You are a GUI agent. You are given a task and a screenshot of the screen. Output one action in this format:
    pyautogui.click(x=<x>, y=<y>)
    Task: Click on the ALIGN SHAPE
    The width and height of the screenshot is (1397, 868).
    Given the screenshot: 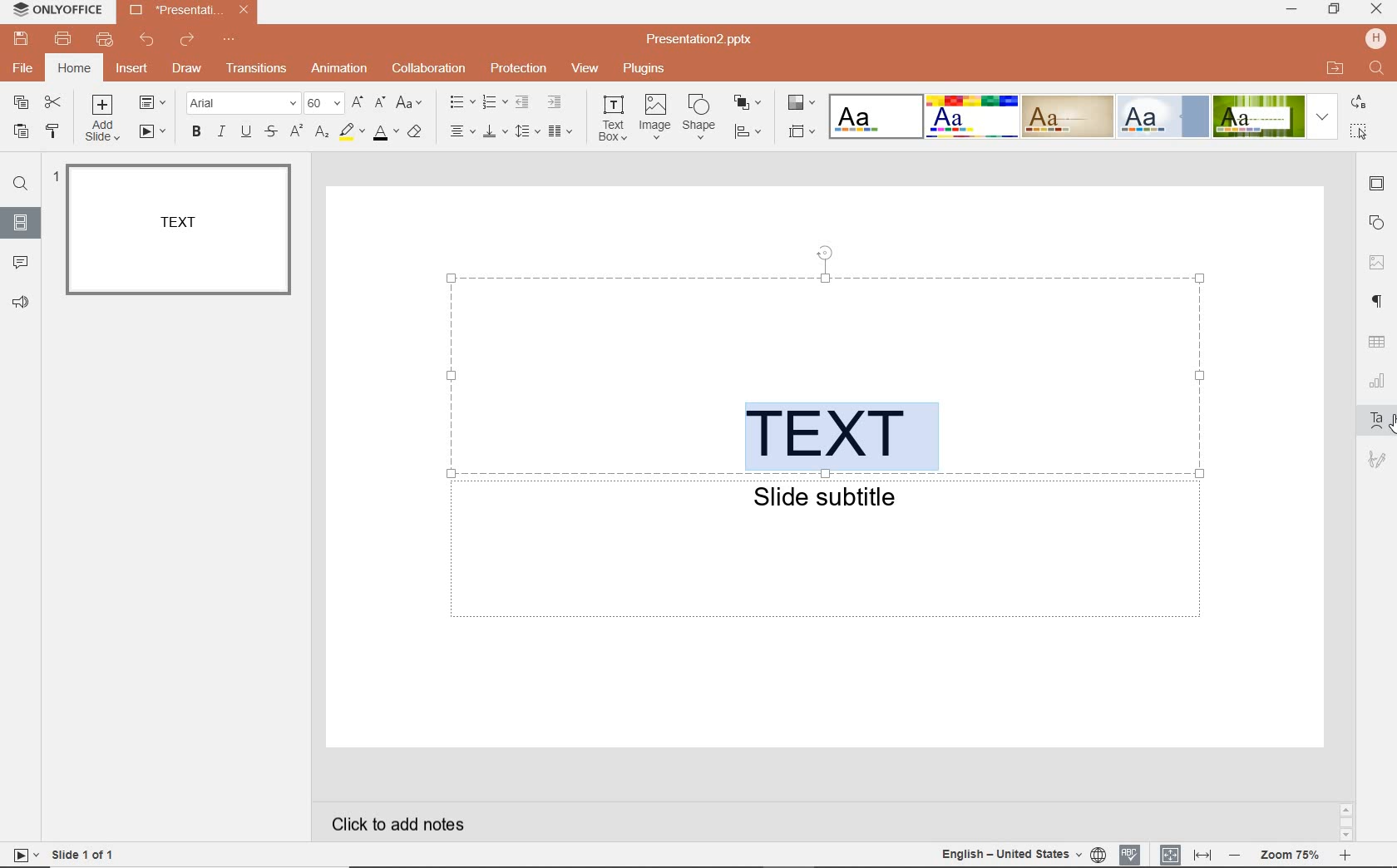 What is the action you would take?
    pyautogui.click(x=753, y=134)
    